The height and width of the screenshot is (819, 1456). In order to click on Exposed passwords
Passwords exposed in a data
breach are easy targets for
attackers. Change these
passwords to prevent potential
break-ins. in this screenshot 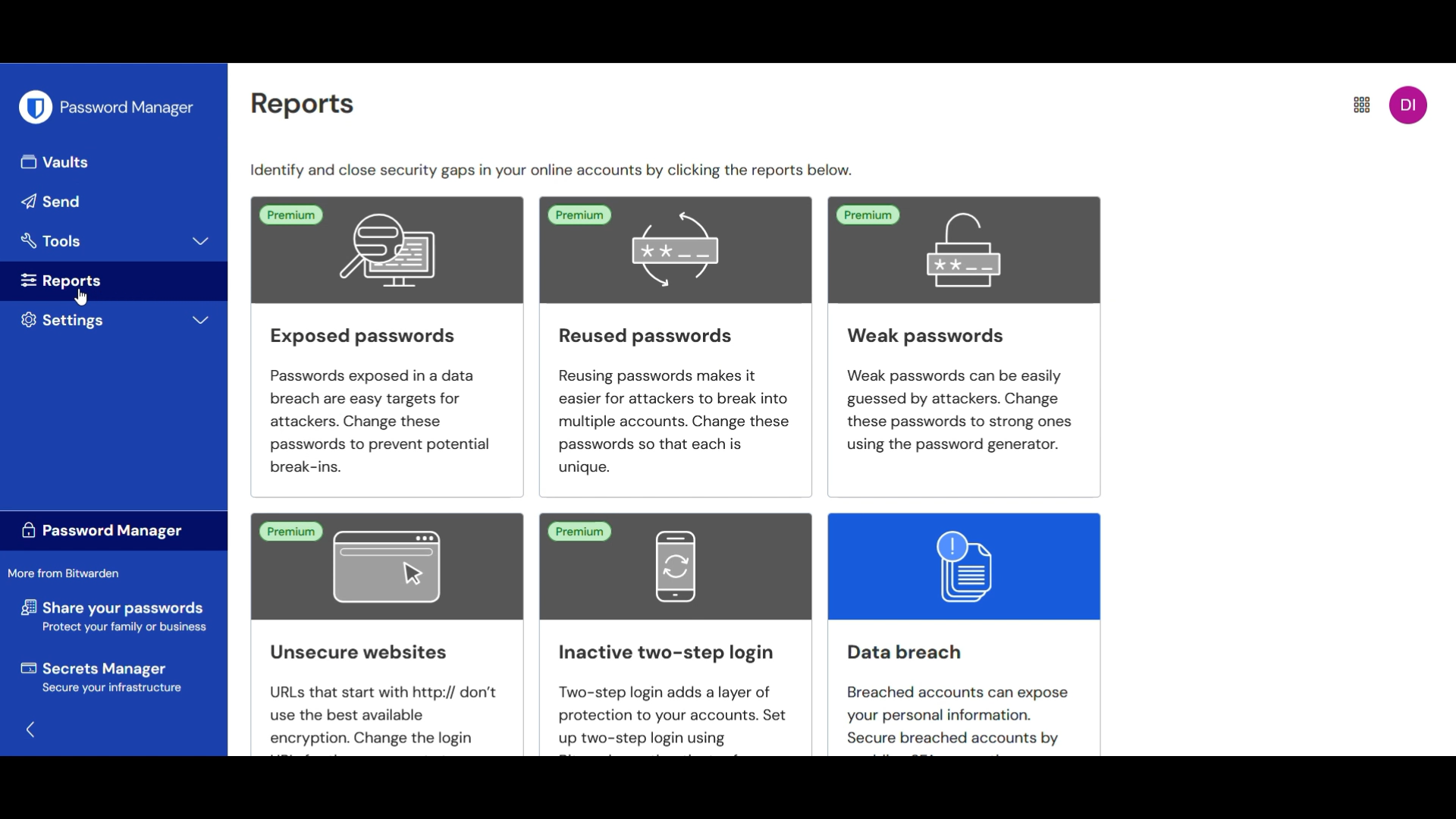, I will do `click(388, 347)`.